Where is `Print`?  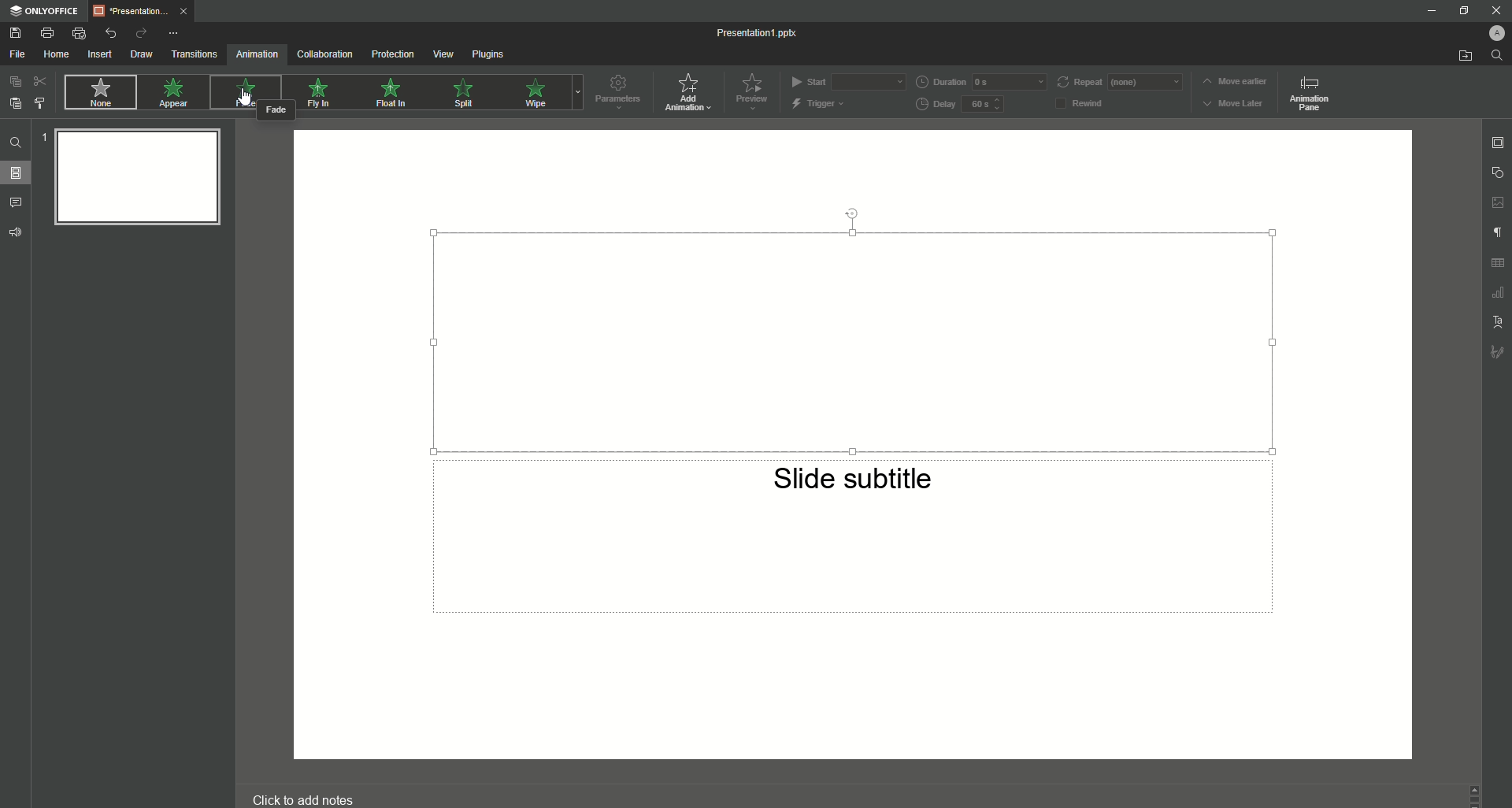
Print is located at coordinates (47, 32).